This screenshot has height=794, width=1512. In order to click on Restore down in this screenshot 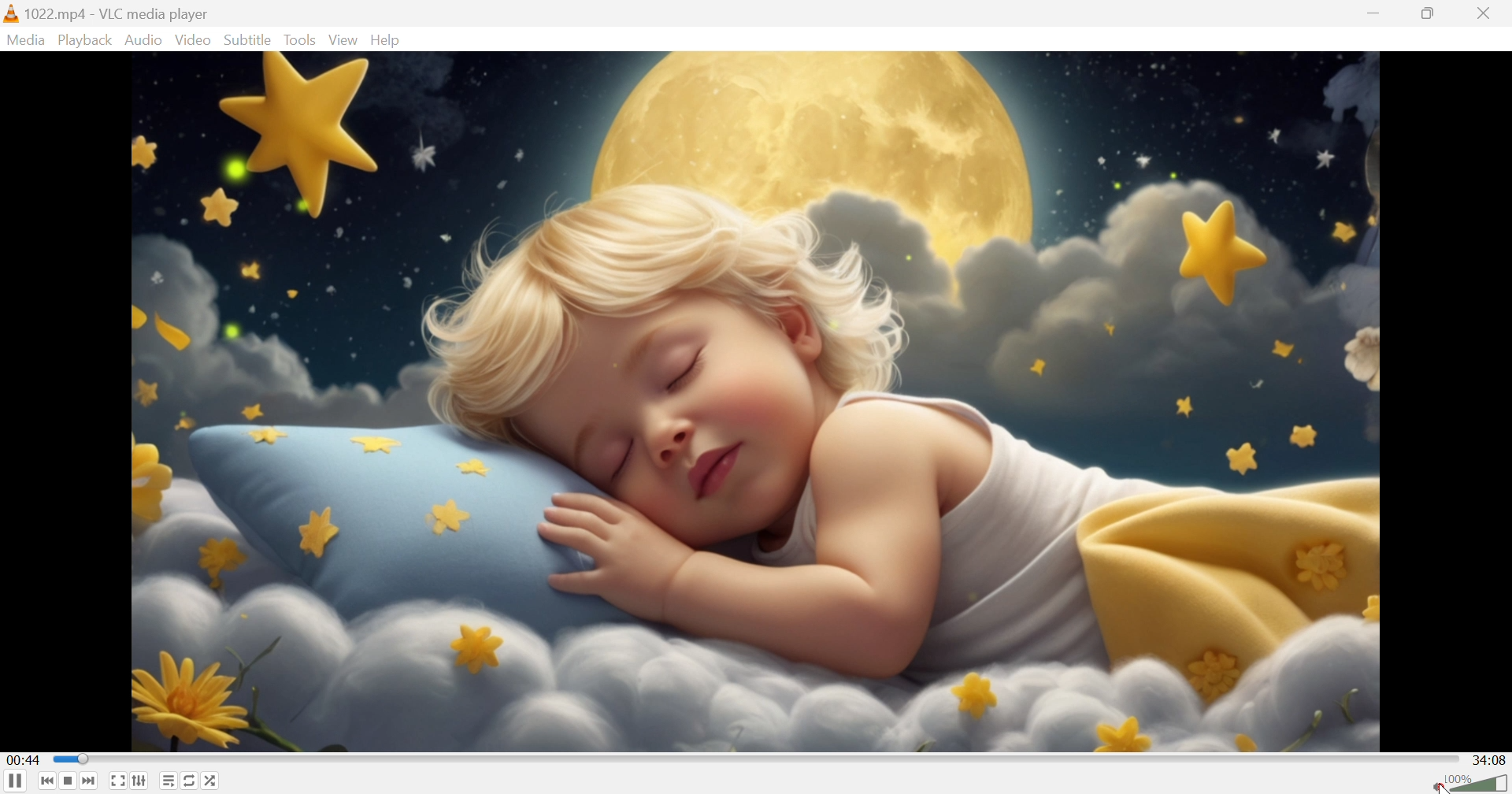, I will do `click(1432, 13)`.